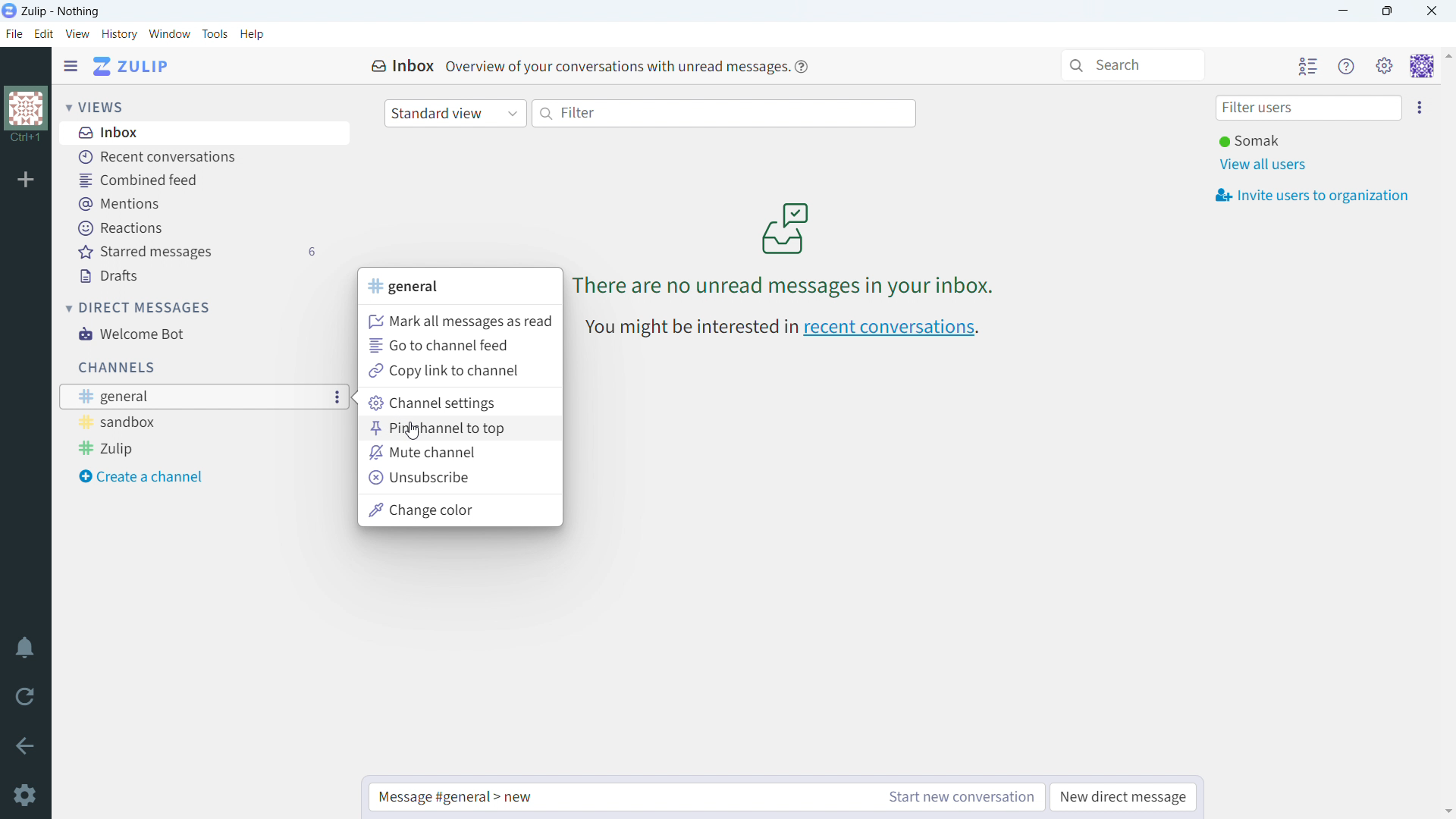 The width and height of the screenshot is (1456, 819). I want to click on image, so click(784, 227).